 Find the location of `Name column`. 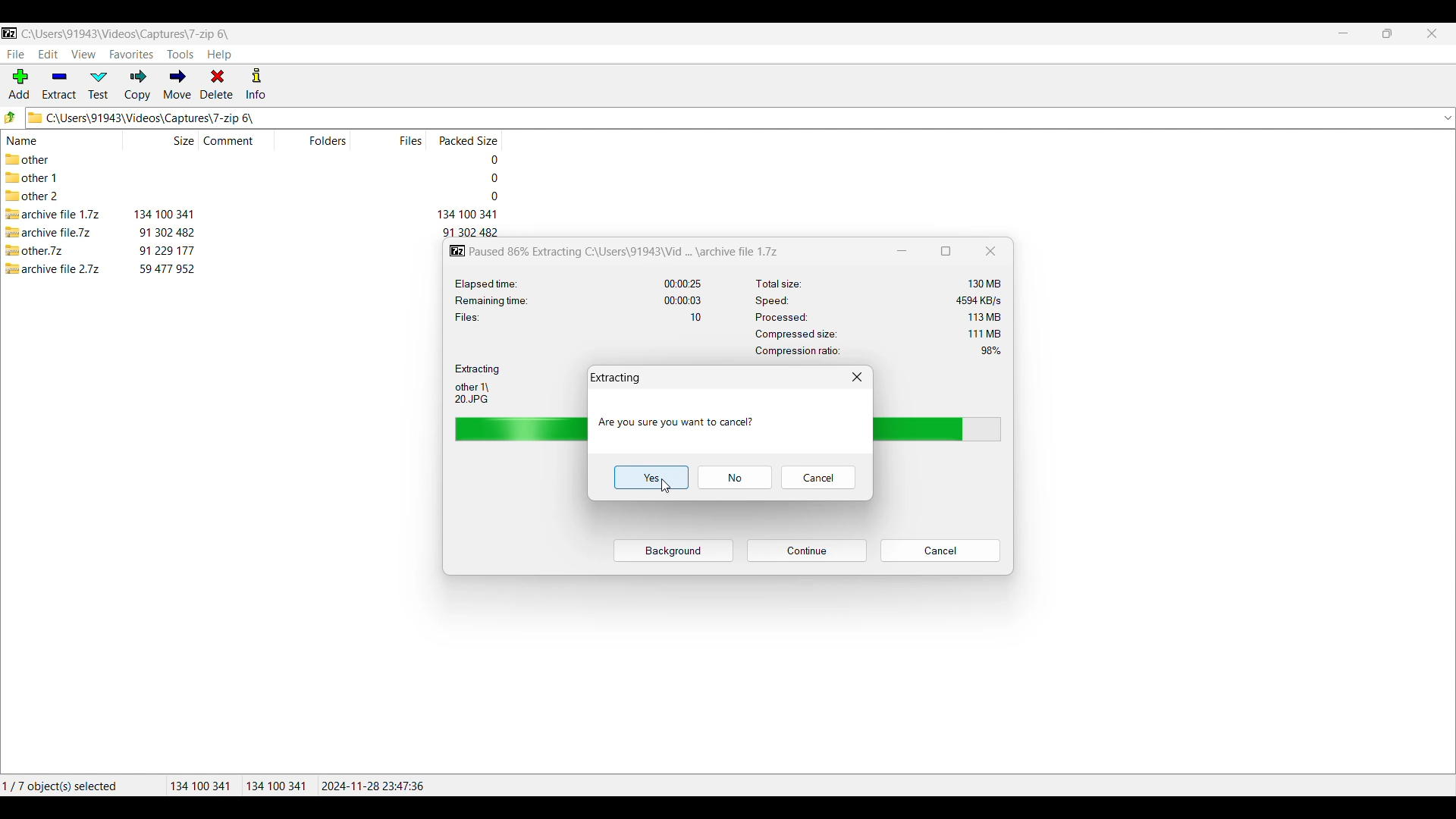

Name column is located at coordinates (49, 140).